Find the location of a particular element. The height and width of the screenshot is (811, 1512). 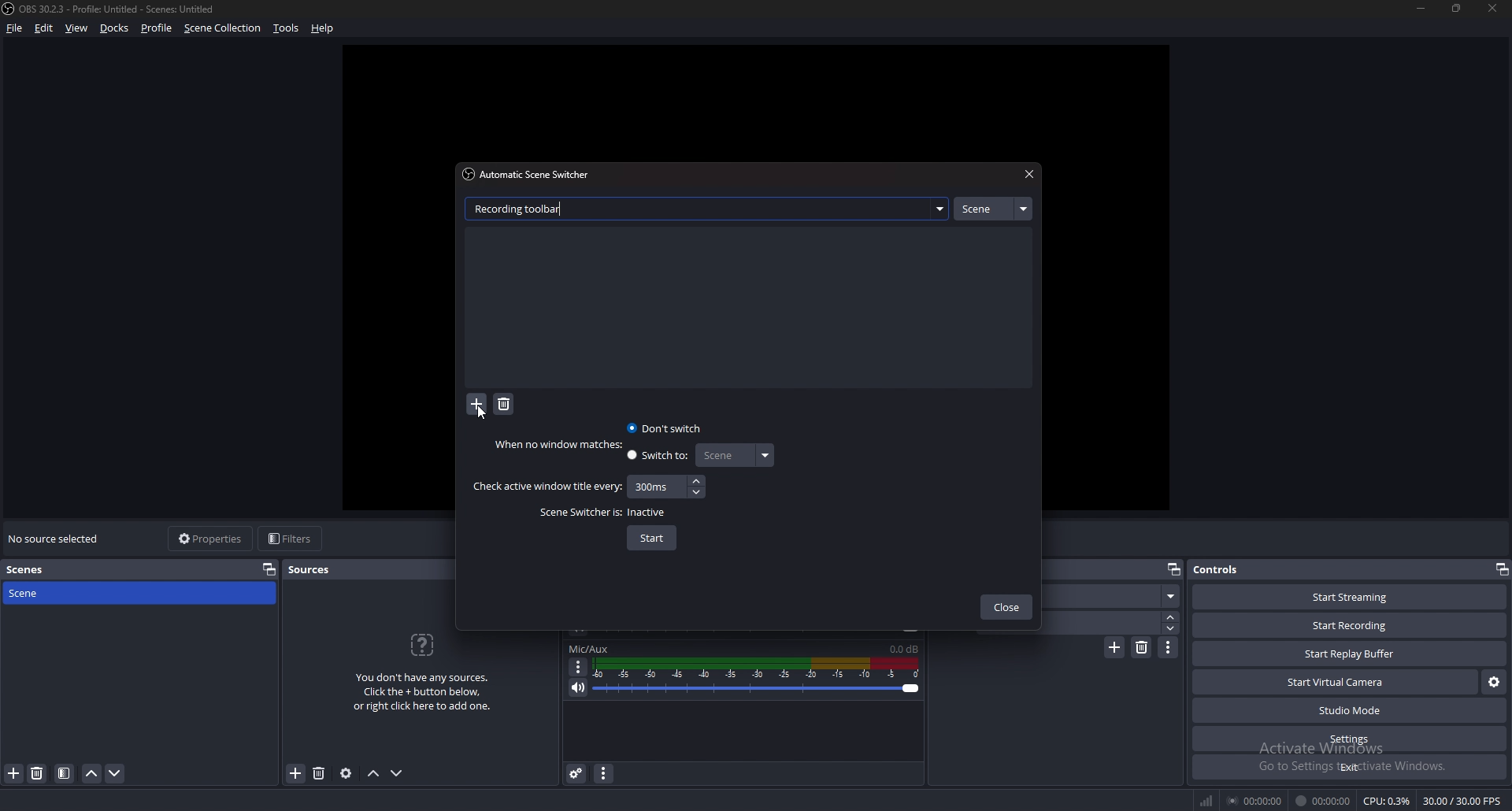

close is located at coordinates (1027, 175).